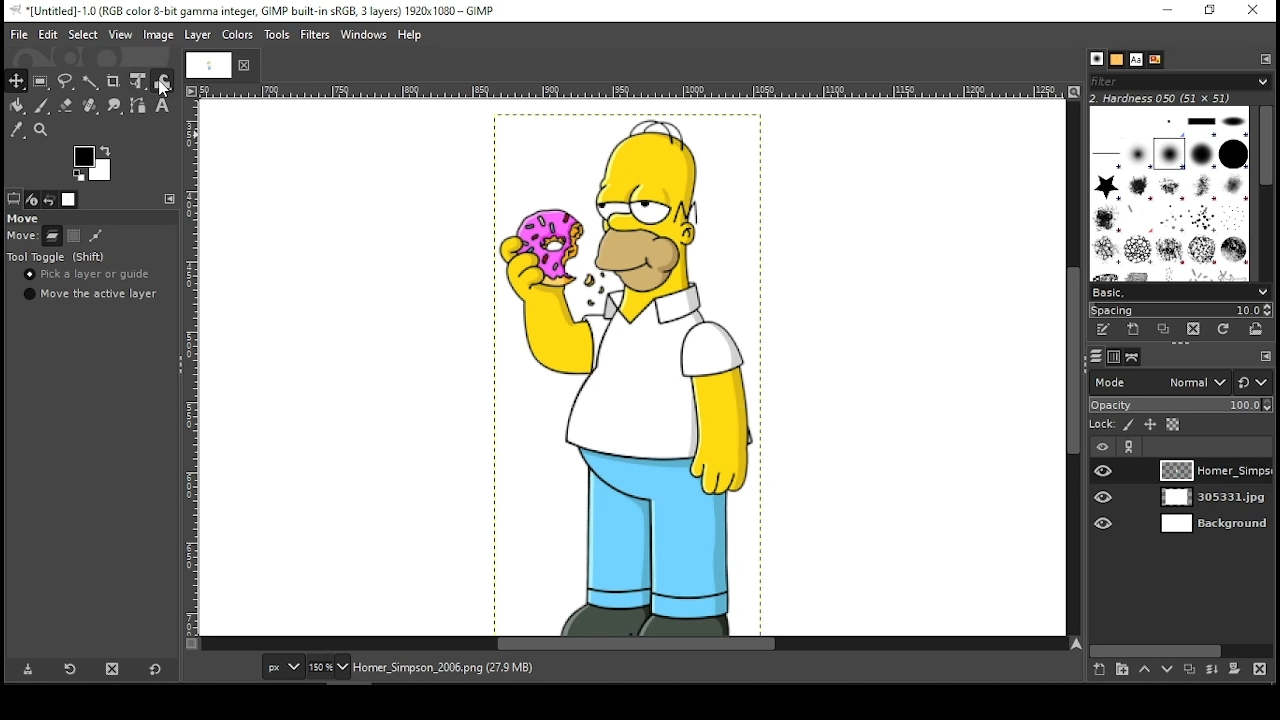  What do you see at coordinates (1171, 193) in the screenshot?
I see `brushes` at bounding box center [1171, 193].